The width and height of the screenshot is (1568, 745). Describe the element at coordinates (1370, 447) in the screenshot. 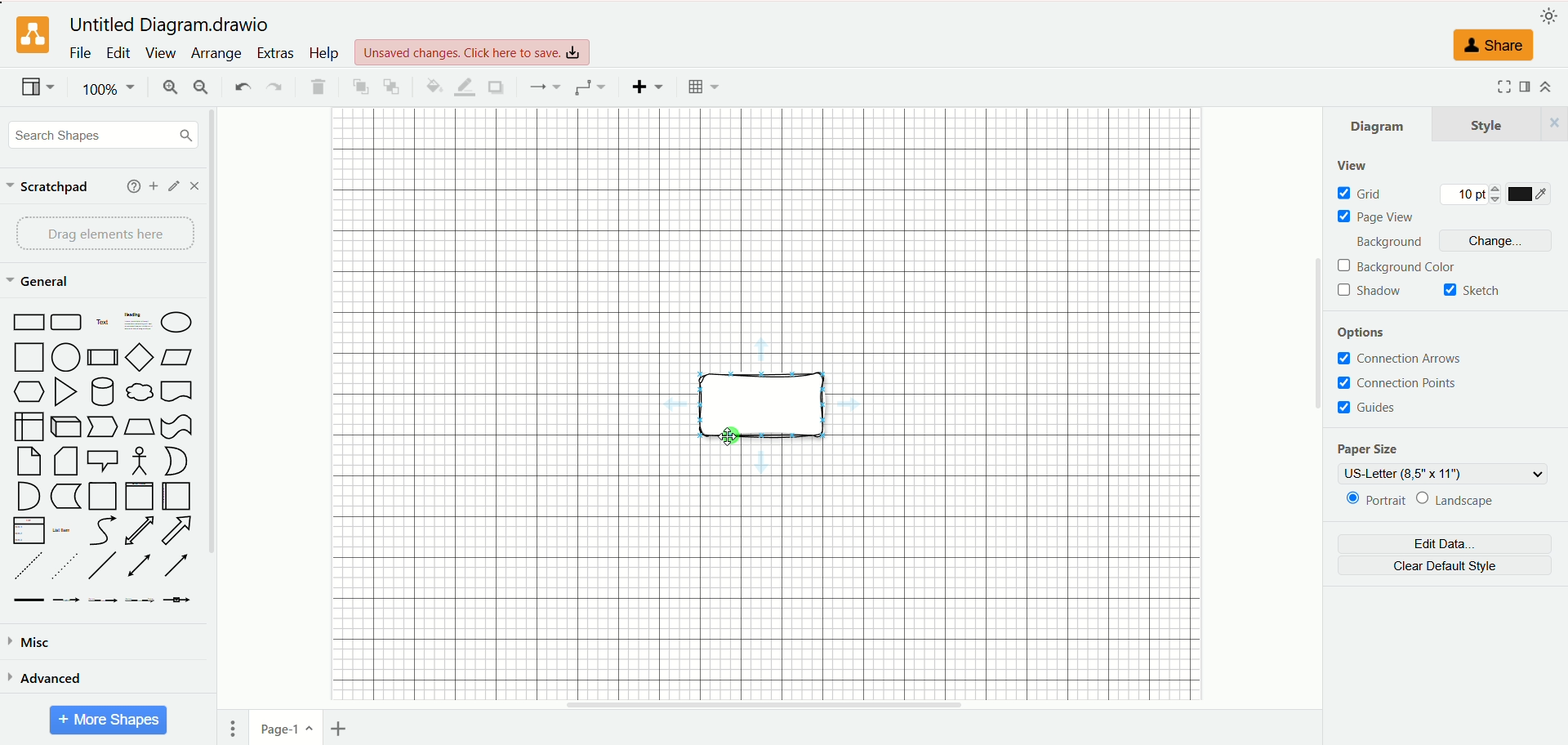

I see `paper size` at that location.